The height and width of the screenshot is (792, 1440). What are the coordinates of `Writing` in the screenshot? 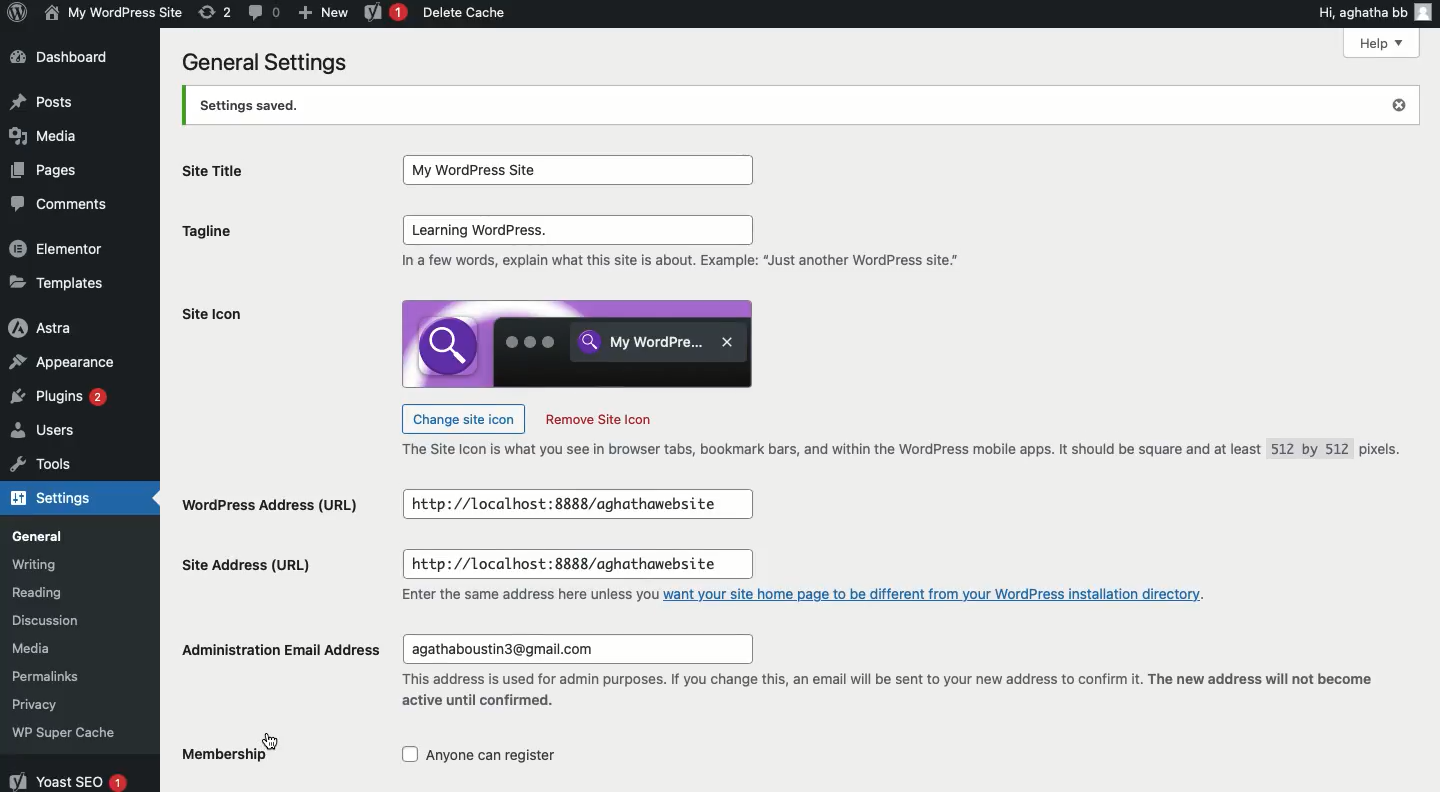 It's located at (62, 564).